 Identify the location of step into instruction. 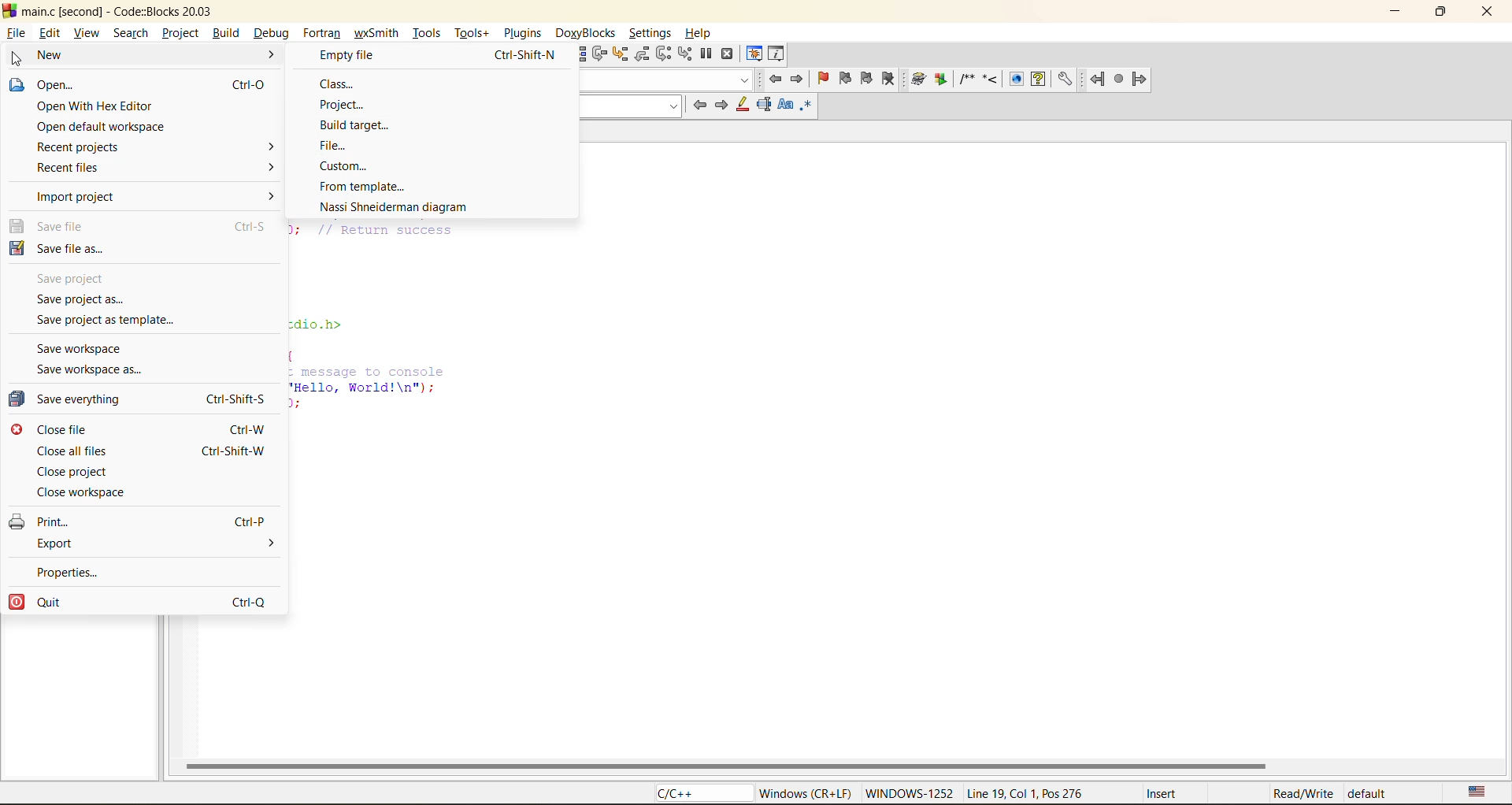
(684, 53).